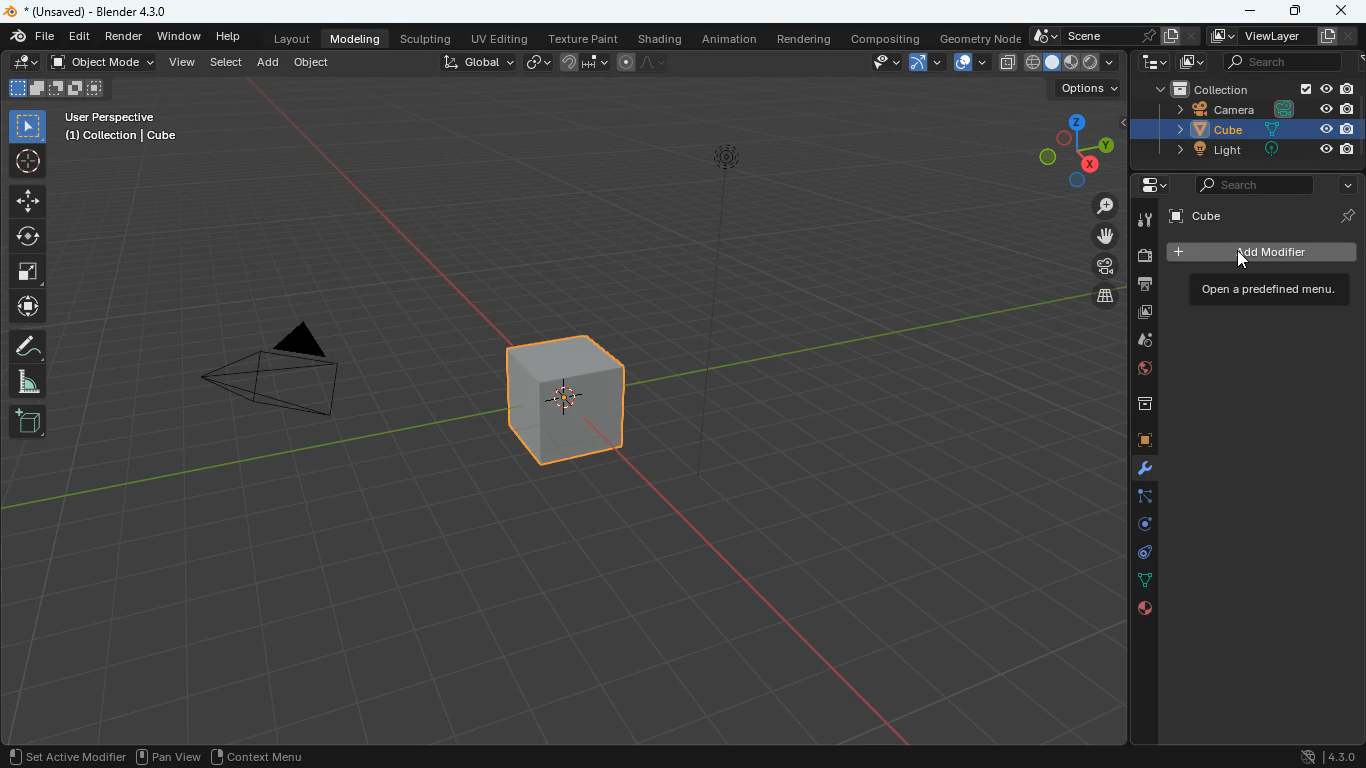  I want to click on aim, so click(29, 162).